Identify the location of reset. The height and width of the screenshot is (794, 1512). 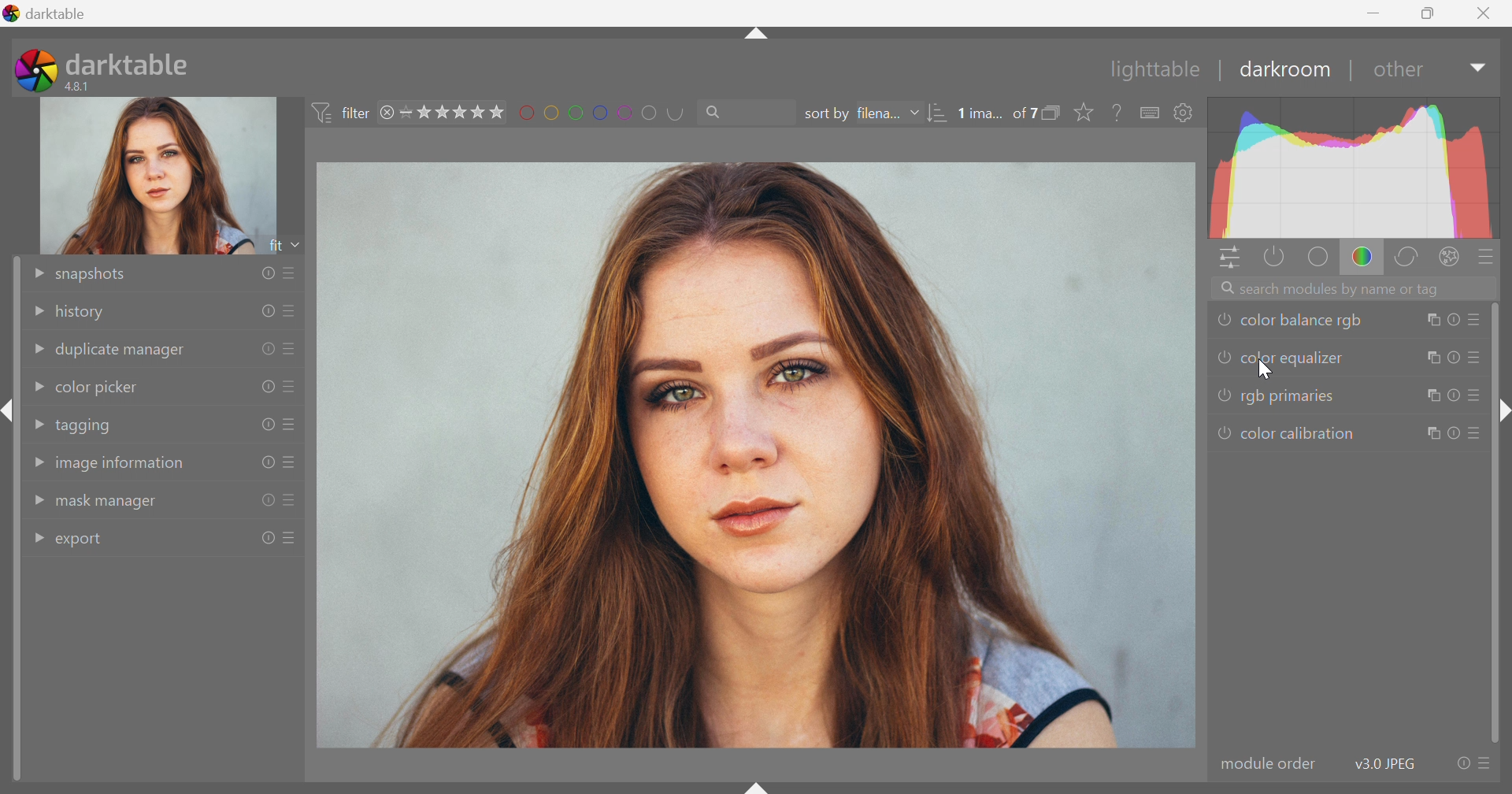
(265, 538).